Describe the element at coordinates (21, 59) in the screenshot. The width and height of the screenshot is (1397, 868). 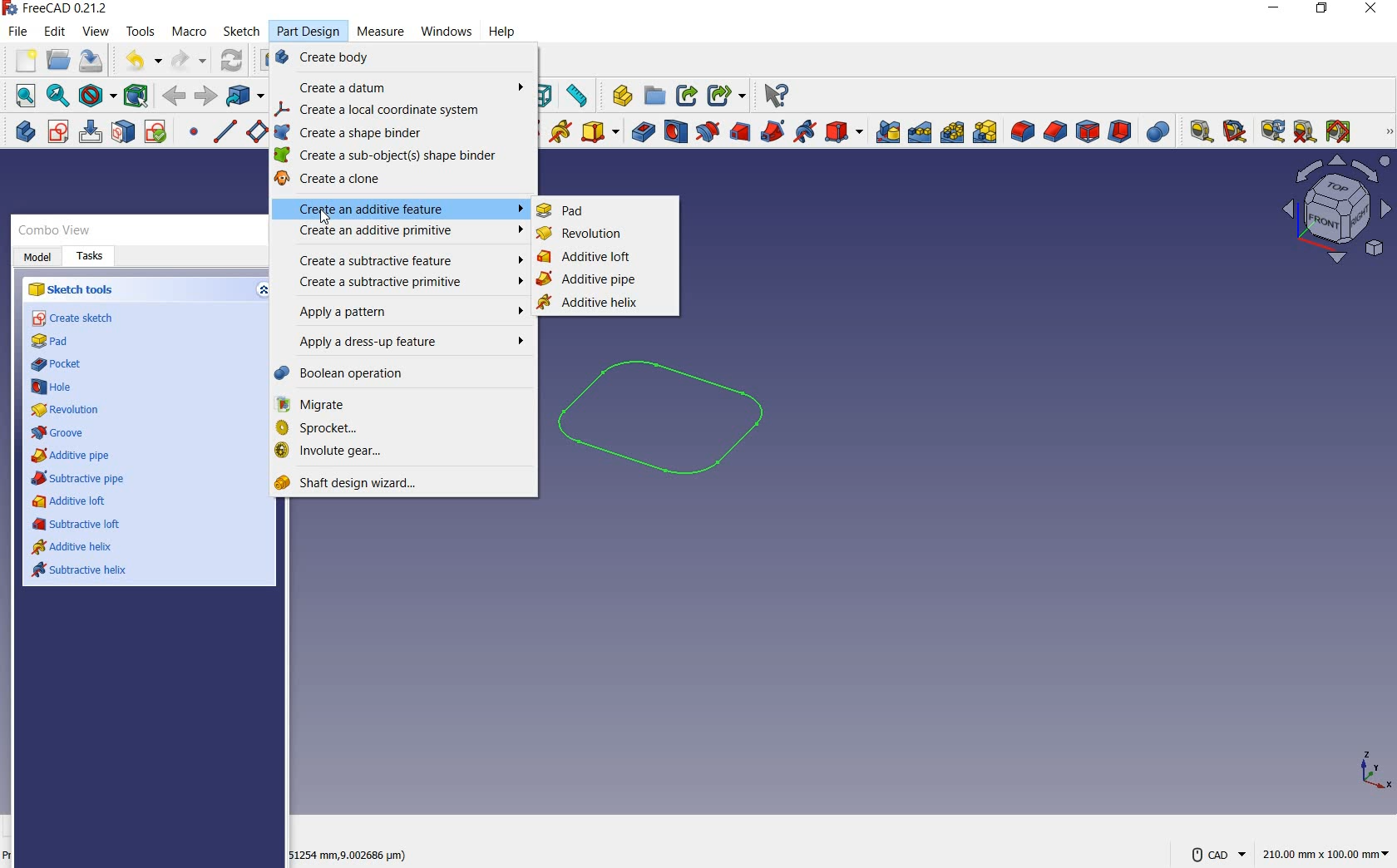
I see `new` at that location.